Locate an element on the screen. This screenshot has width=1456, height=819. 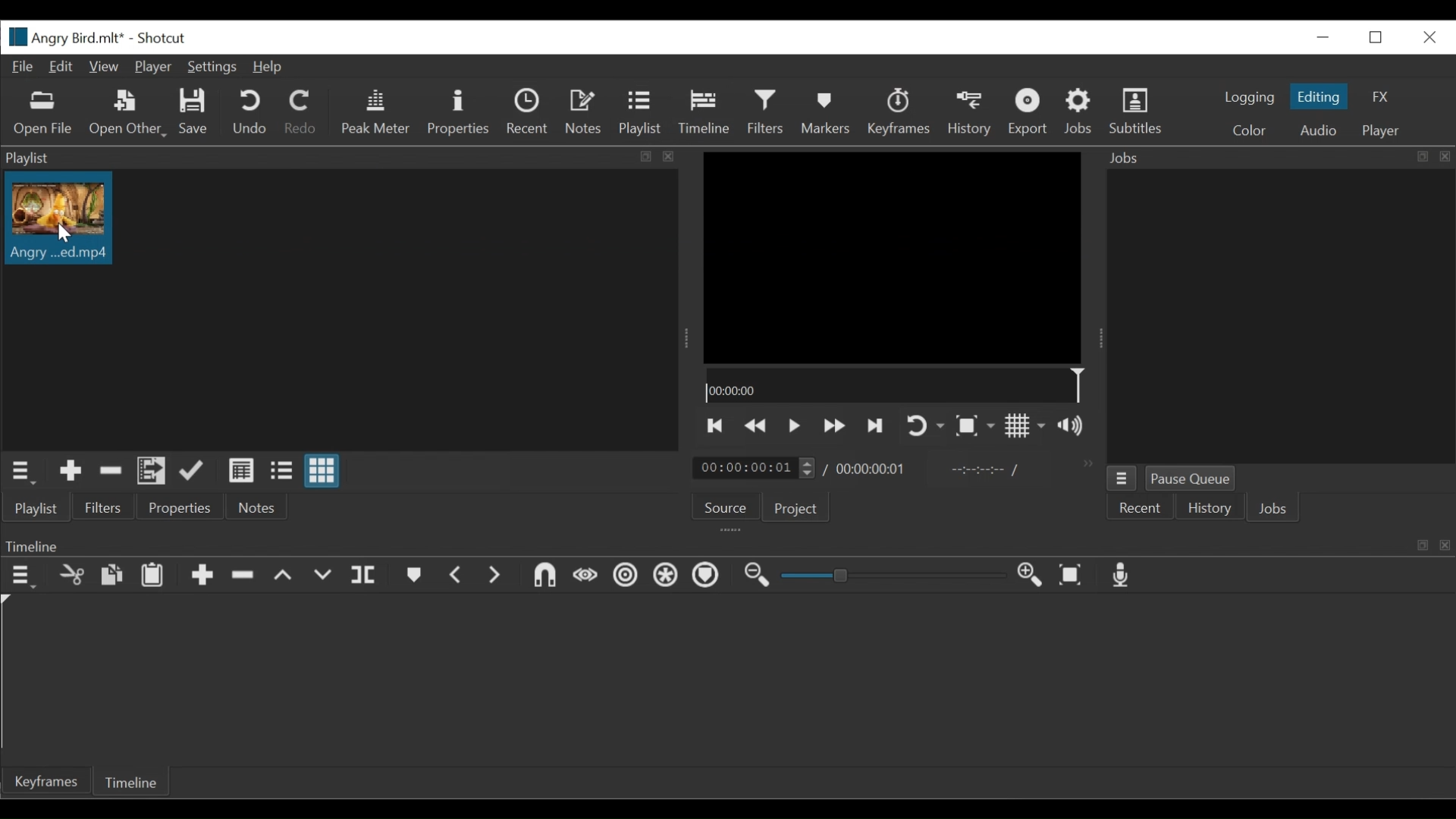
Previous marker is located at coordinates (457, 576).